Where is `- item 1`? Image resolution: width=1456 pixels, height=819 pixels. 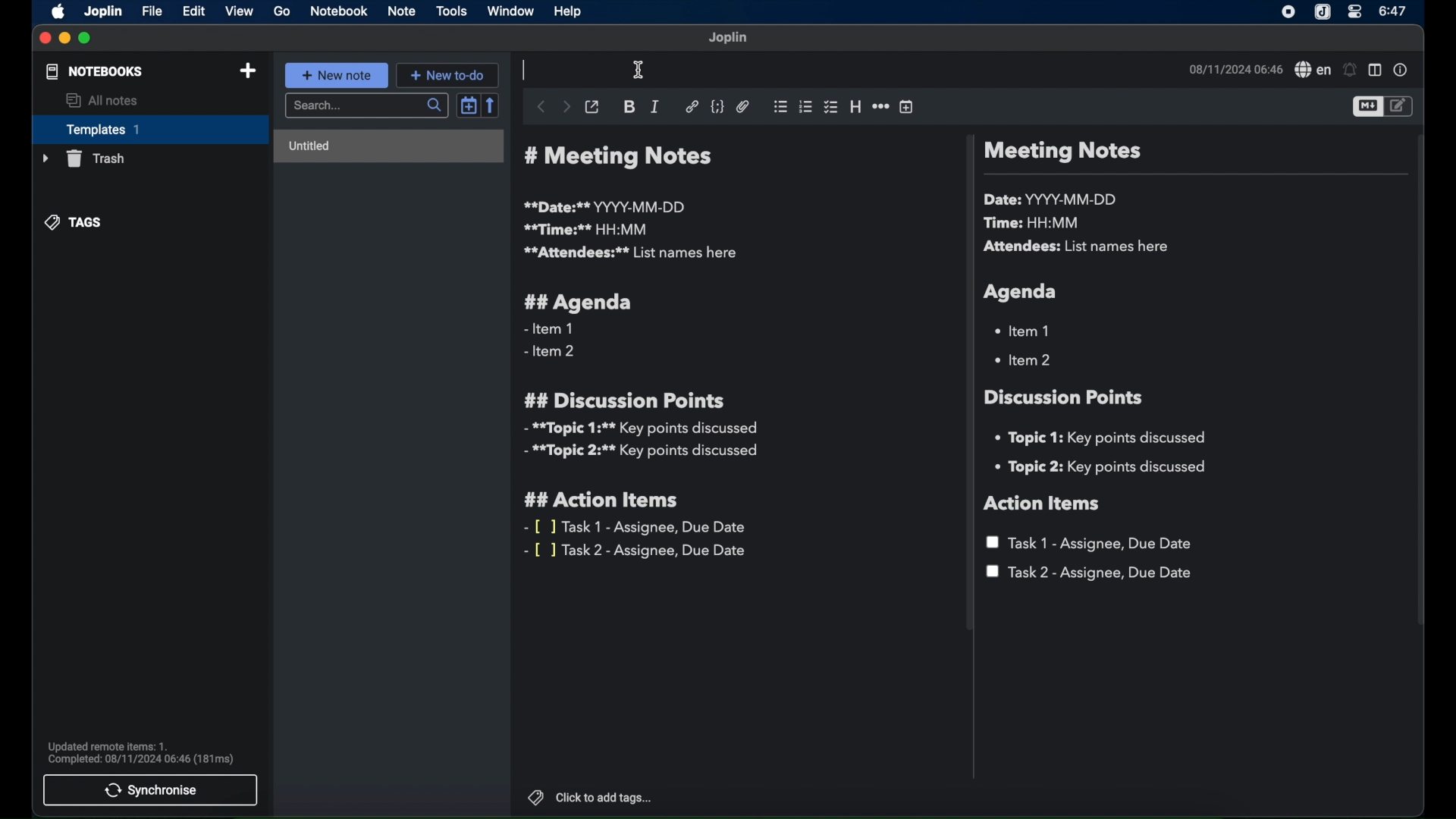
- item 1 is located at coordinates (548, 329).